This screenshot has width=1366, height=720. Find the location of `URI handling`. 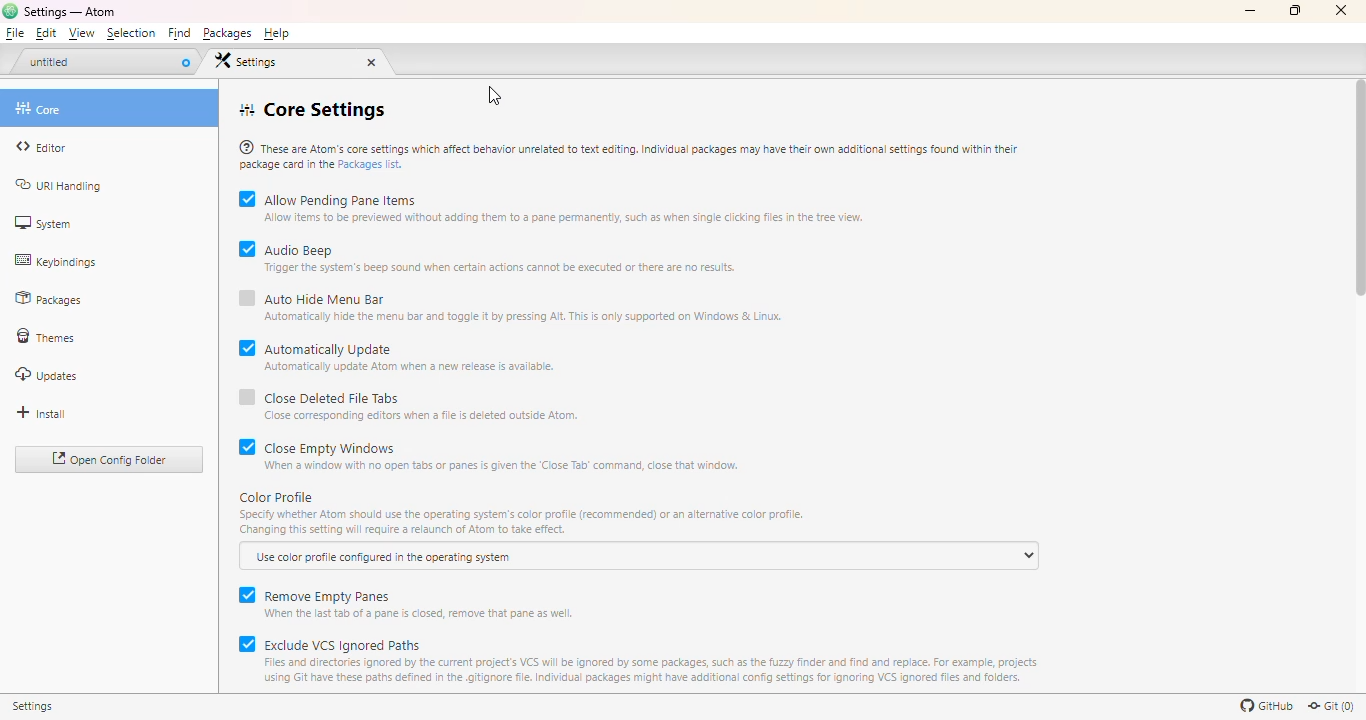

URI handling is located at coordinates (59, 186).